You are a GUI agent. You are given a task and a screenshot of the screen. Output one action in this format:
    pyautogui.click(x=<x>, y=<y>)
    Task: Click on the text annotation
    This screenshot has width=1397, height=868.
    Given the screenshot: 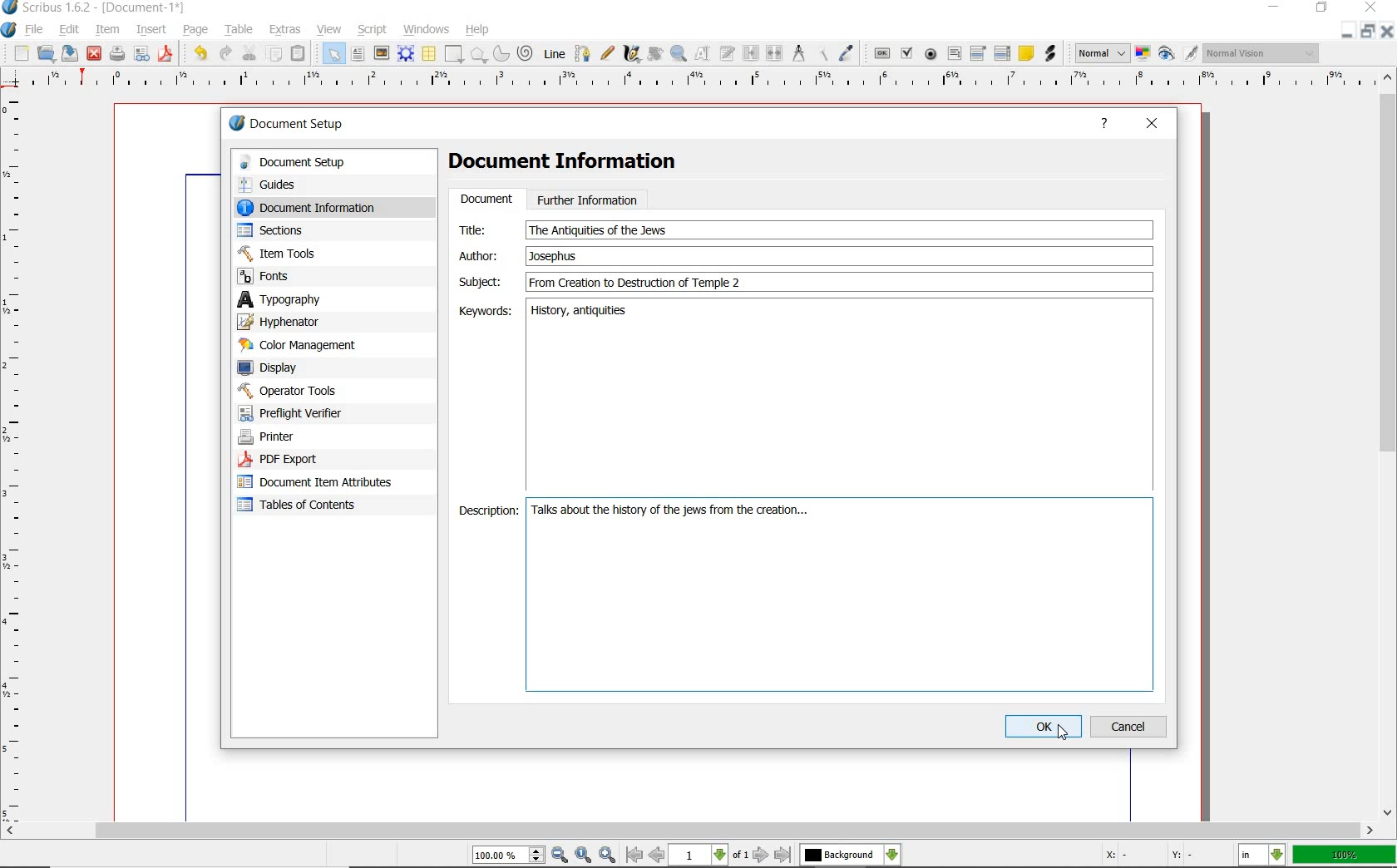 What is the action you would take?
    pyautogui.click(x=1025, y=55)
    